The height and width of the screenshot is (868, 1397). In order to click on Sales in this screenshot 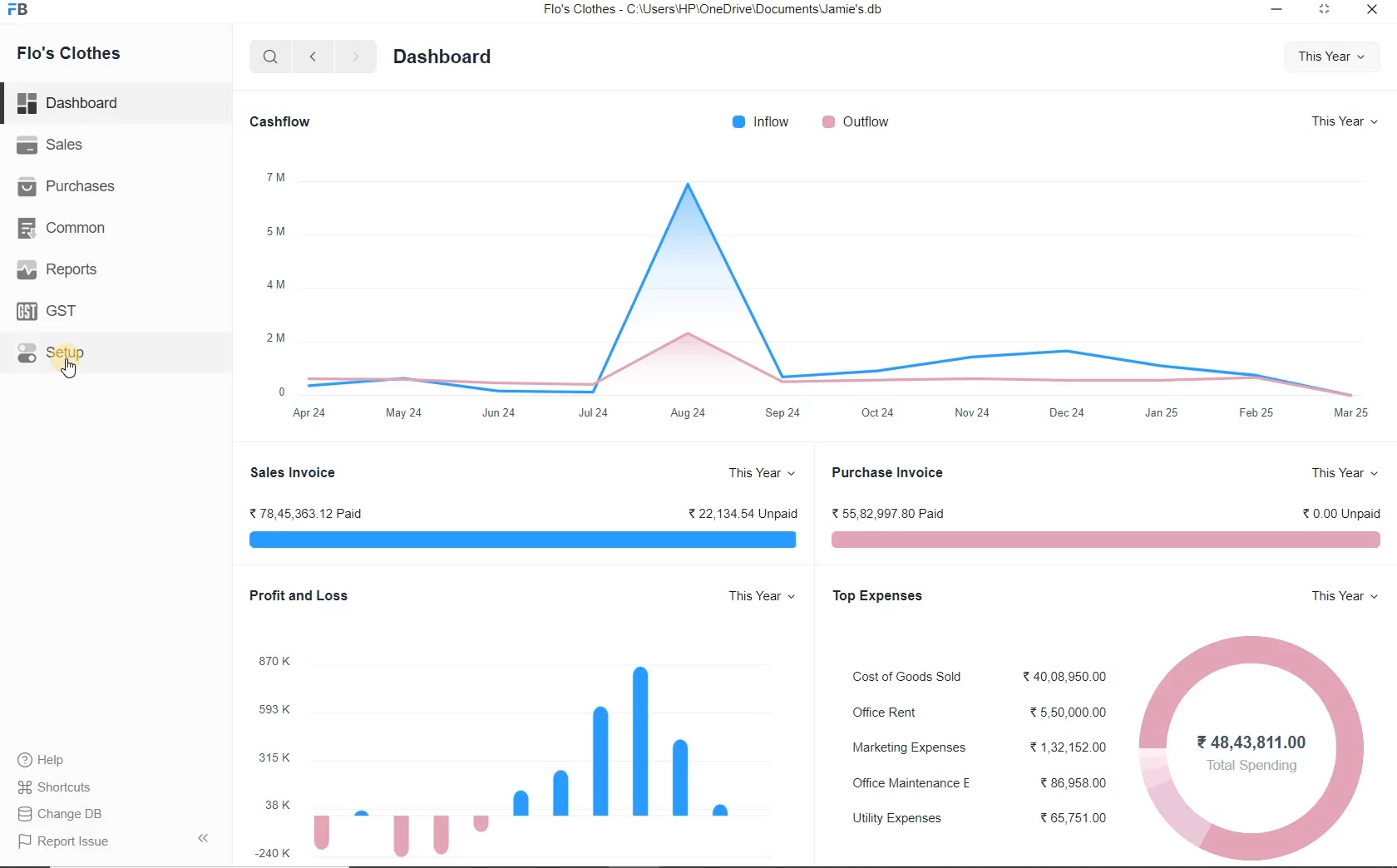, I will do `click(116, 144)`.